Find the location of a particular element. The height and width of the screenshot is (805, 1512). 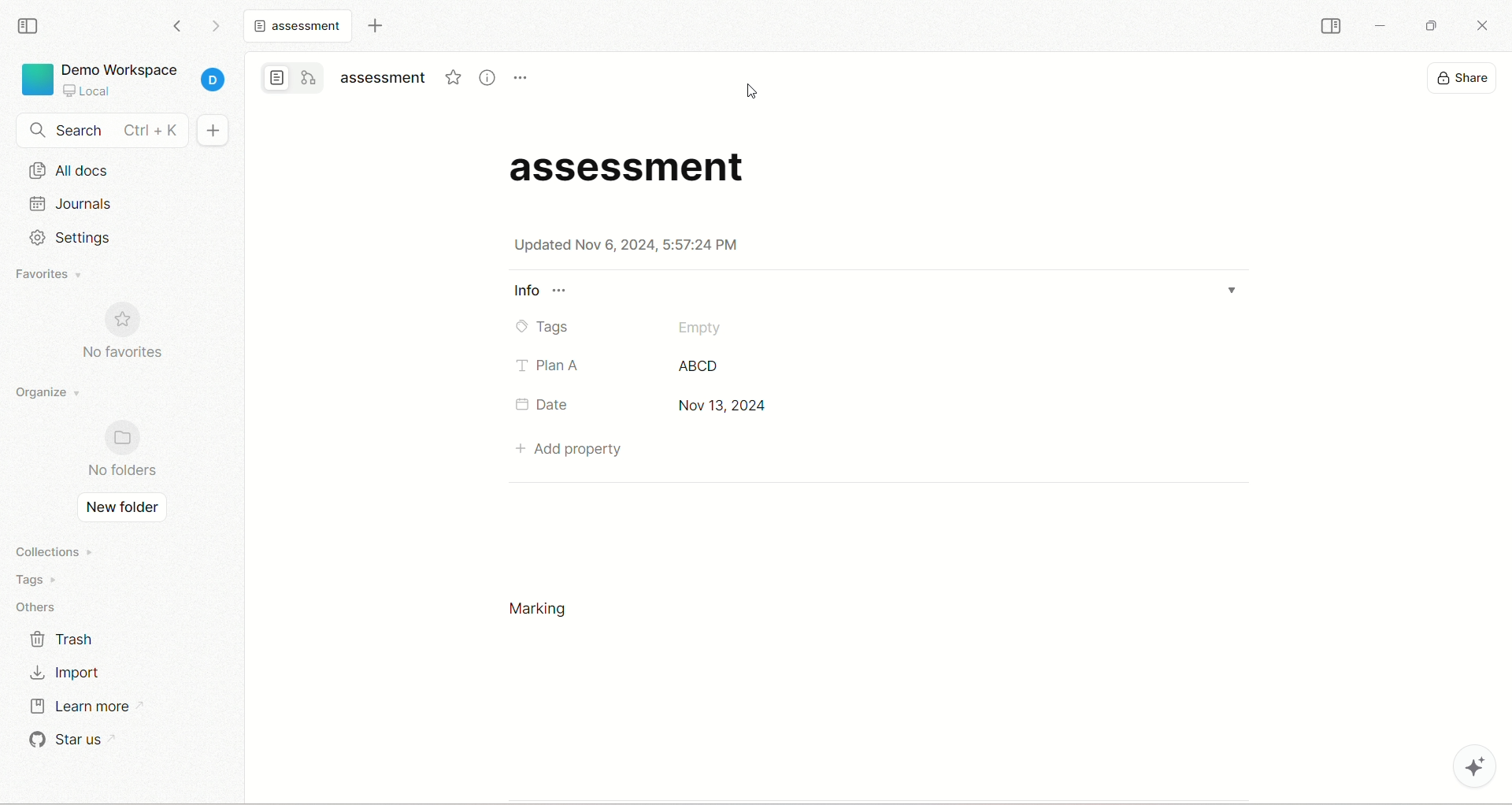

search bar is located at coordinates (102, 129).